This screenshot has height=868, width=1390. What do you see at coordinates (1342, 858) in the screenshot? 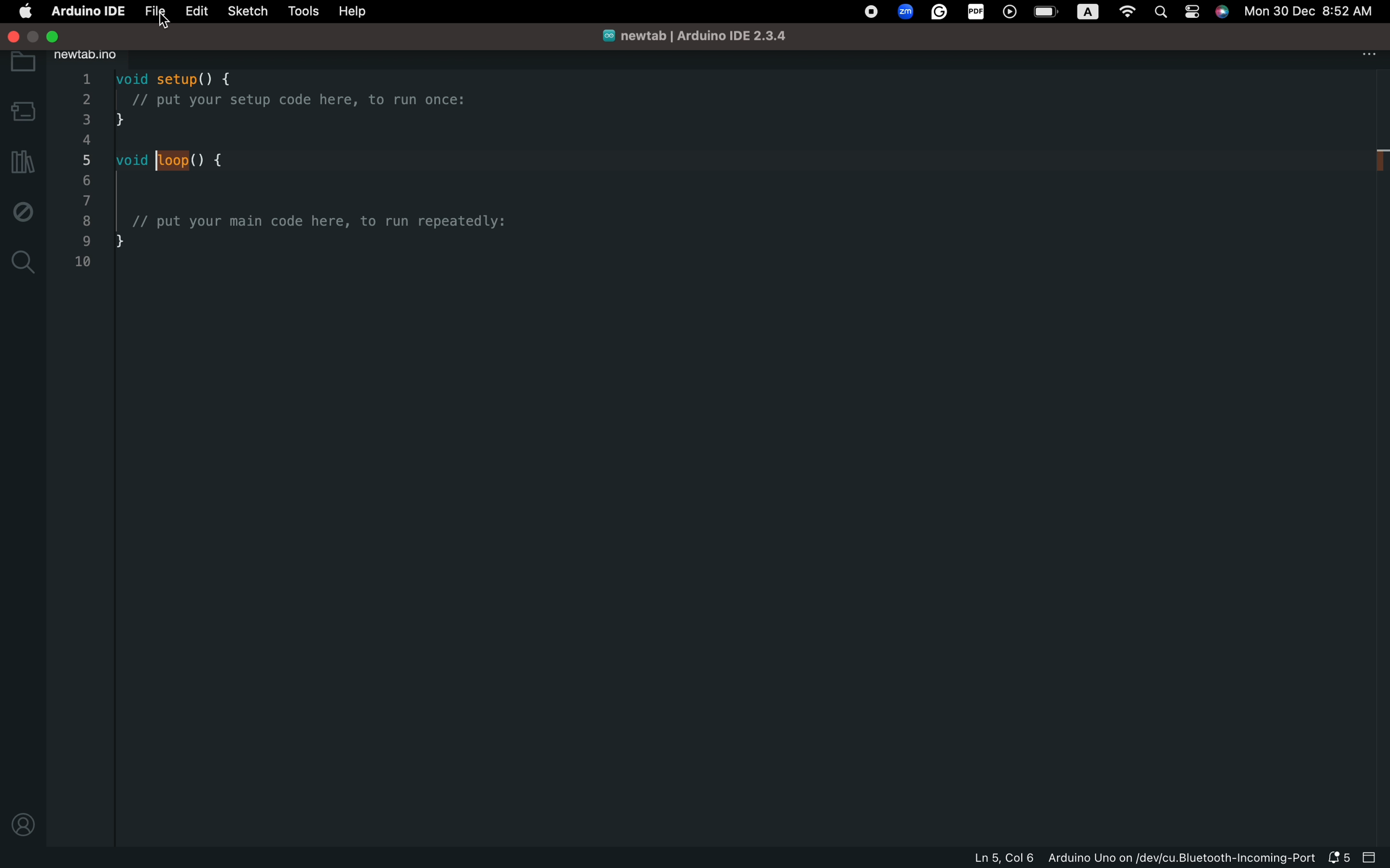
I see `notification` at bounding box center [1342, 858].